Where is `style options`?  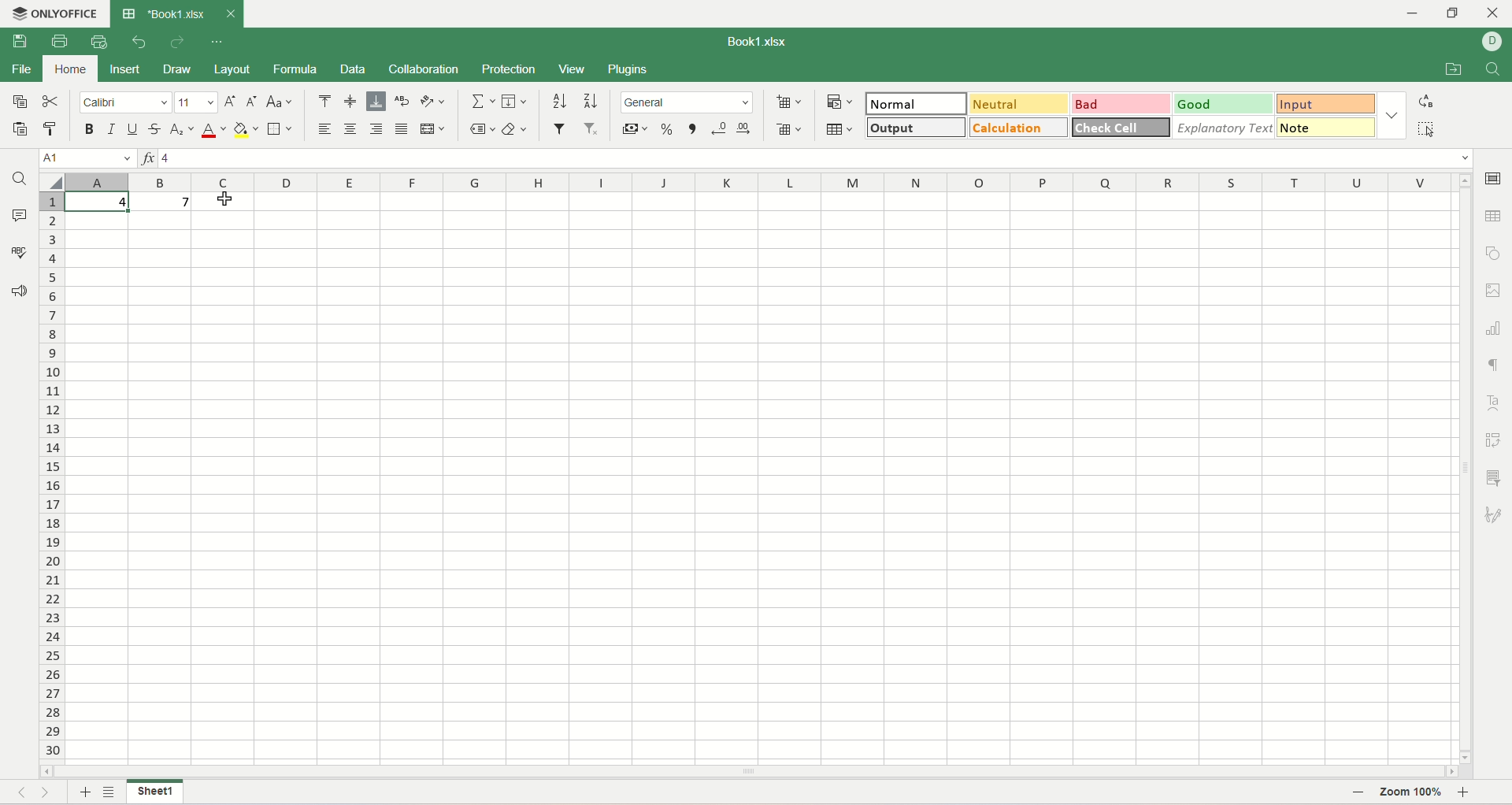 style options is located at coordinates (1394, 115).